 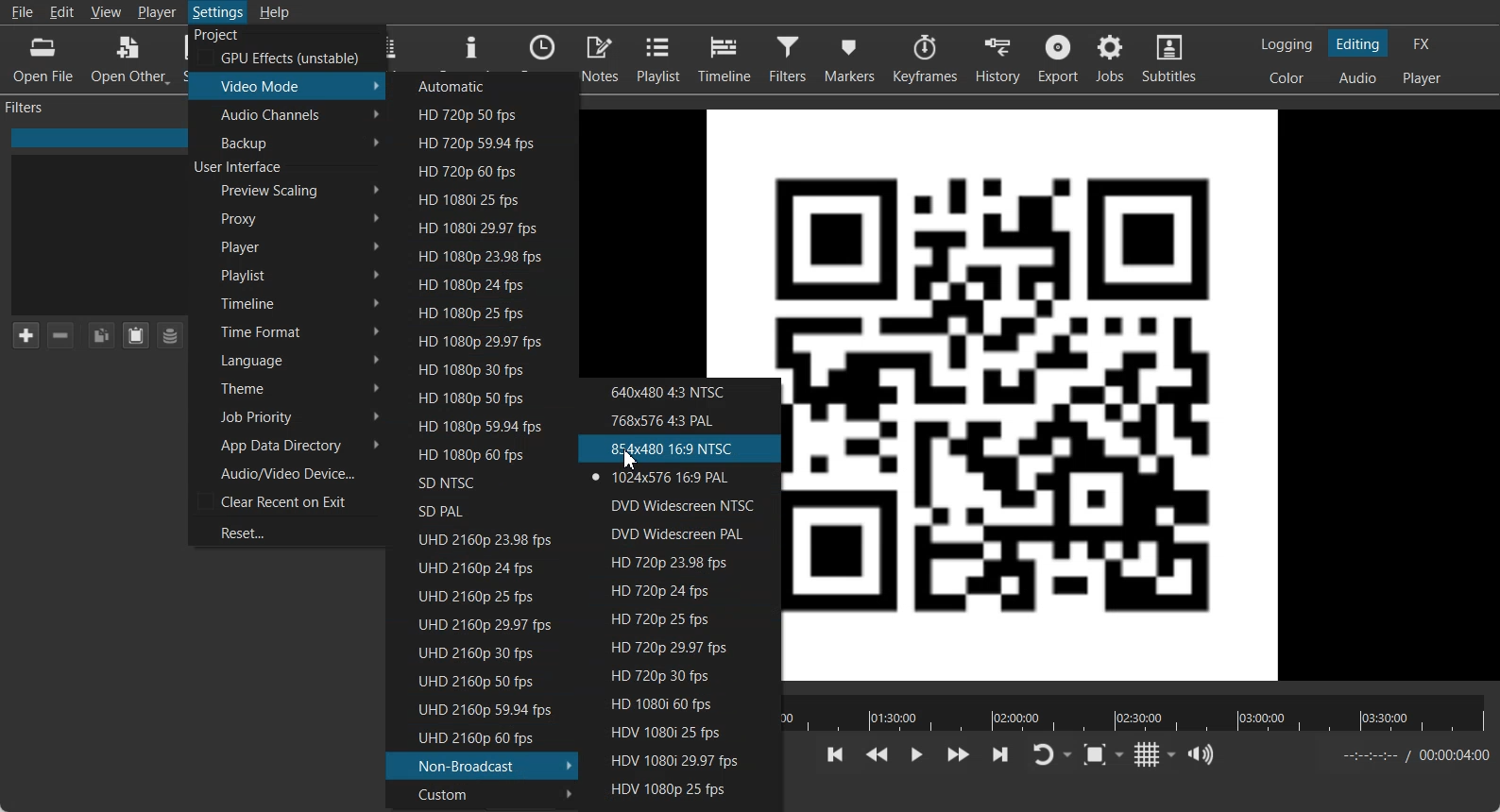 I want to click on Video Mode, so click(x=288, y=85).